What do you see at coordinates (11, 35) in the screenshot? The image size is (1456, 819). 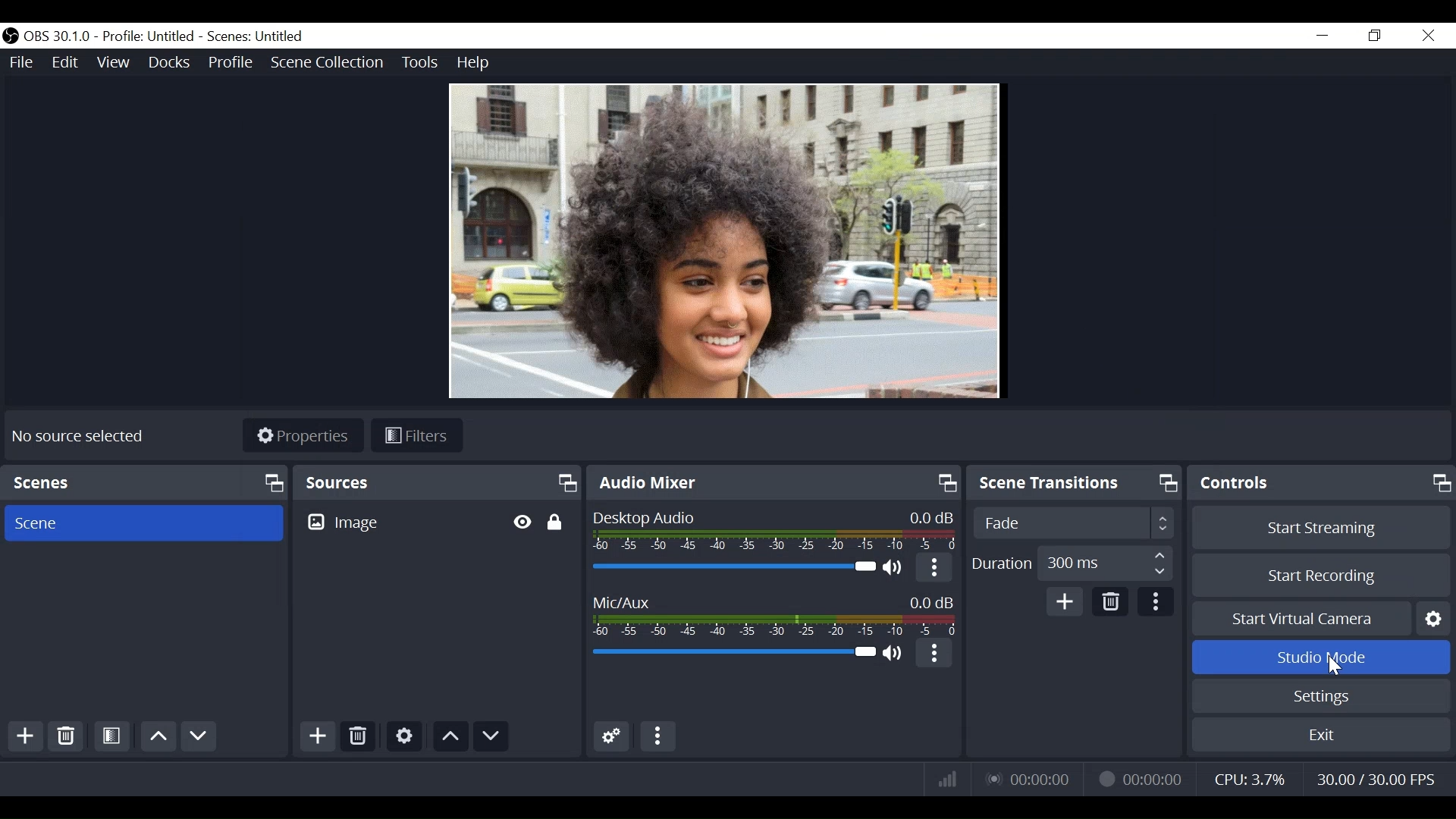 I see `OBS Studios Desktop Icon` at bounding box center [11, 35].